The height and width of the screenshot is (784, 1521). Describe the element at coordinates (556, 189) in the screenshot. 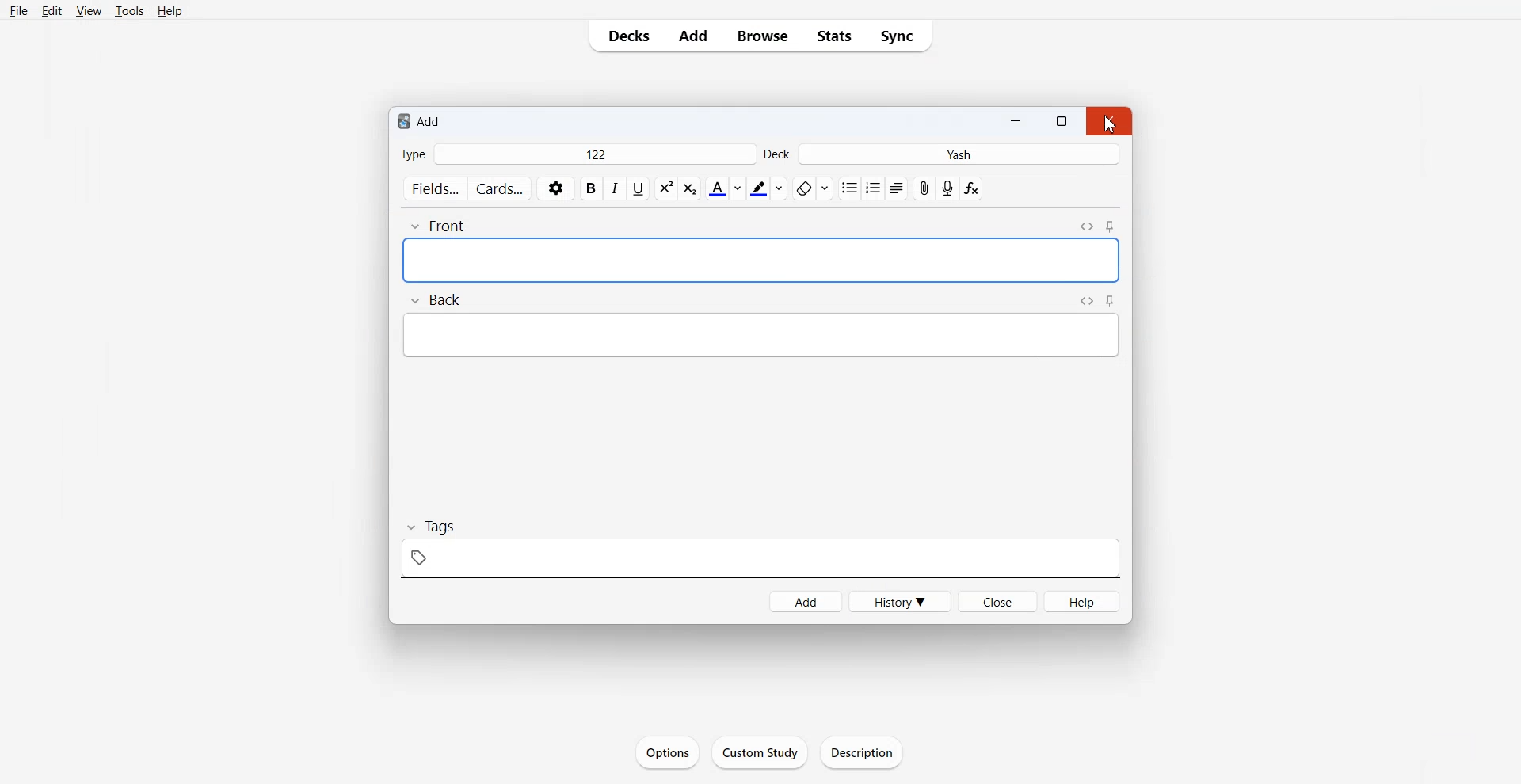

I see `Settings` at that location.